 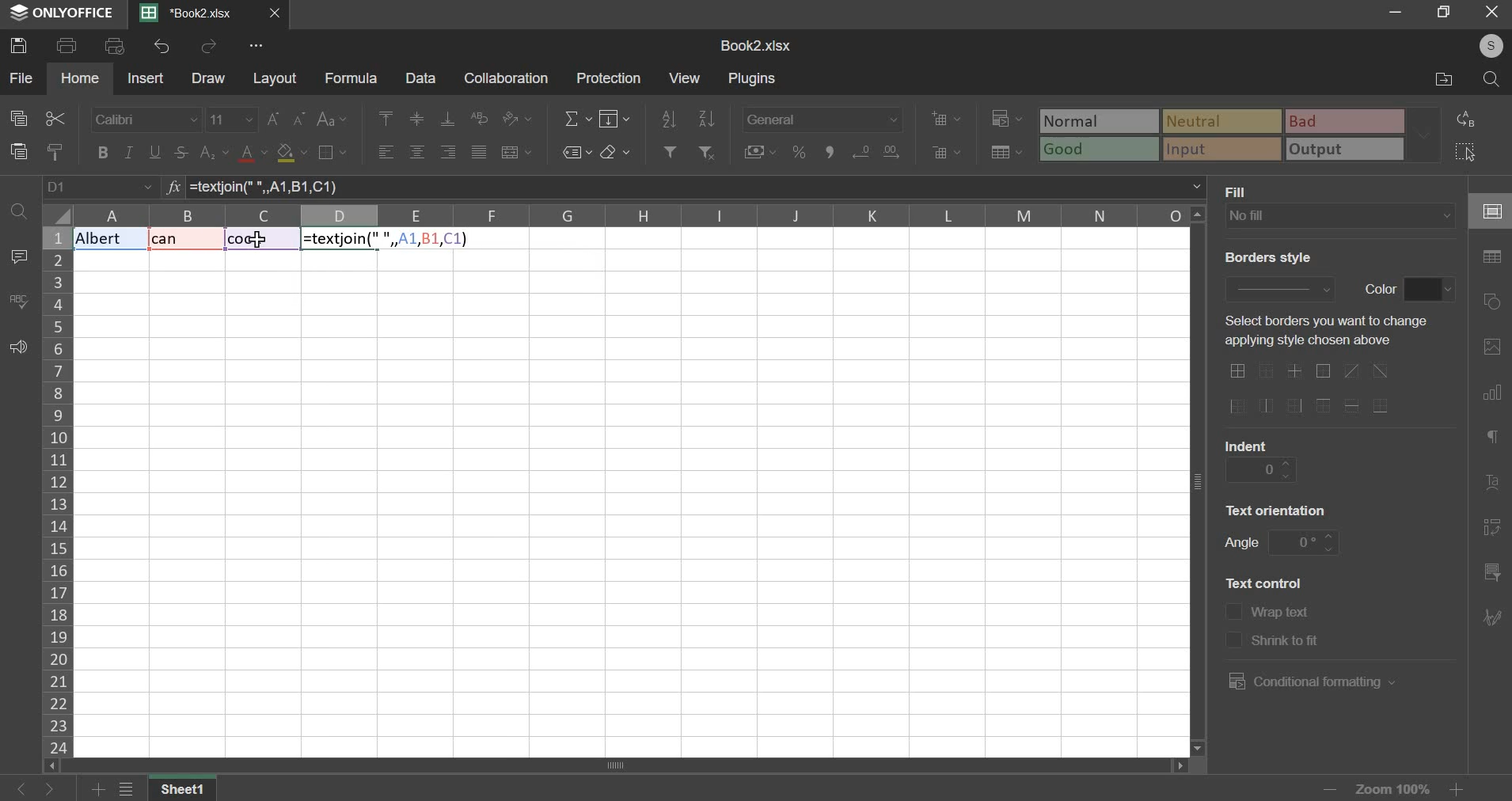 What do you see at coordinates (17, 209) in the screenshot?
I see `find` at bounding box center [17, 209].